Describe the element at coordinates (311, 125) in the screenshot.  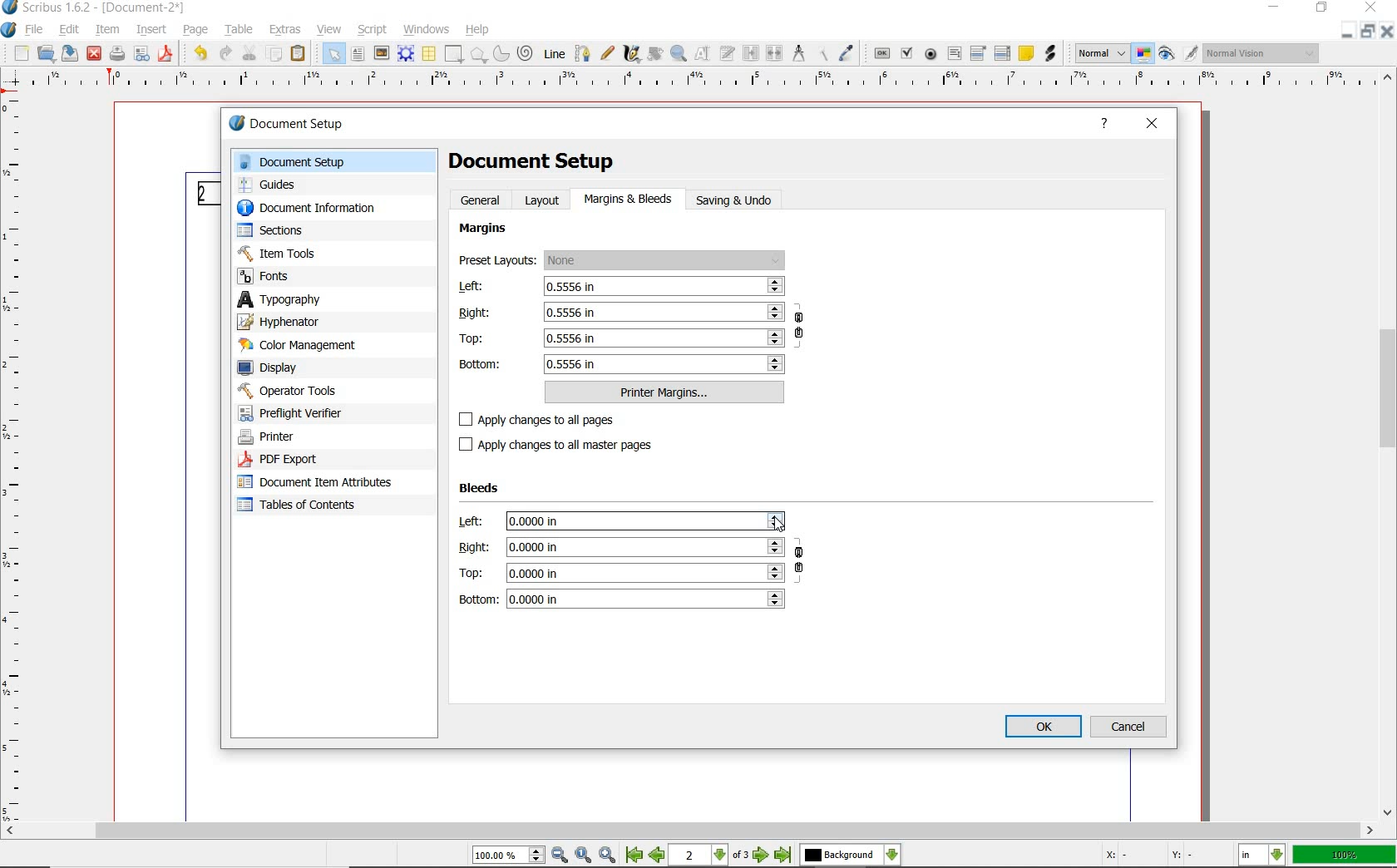
I see `document setup` at that location.